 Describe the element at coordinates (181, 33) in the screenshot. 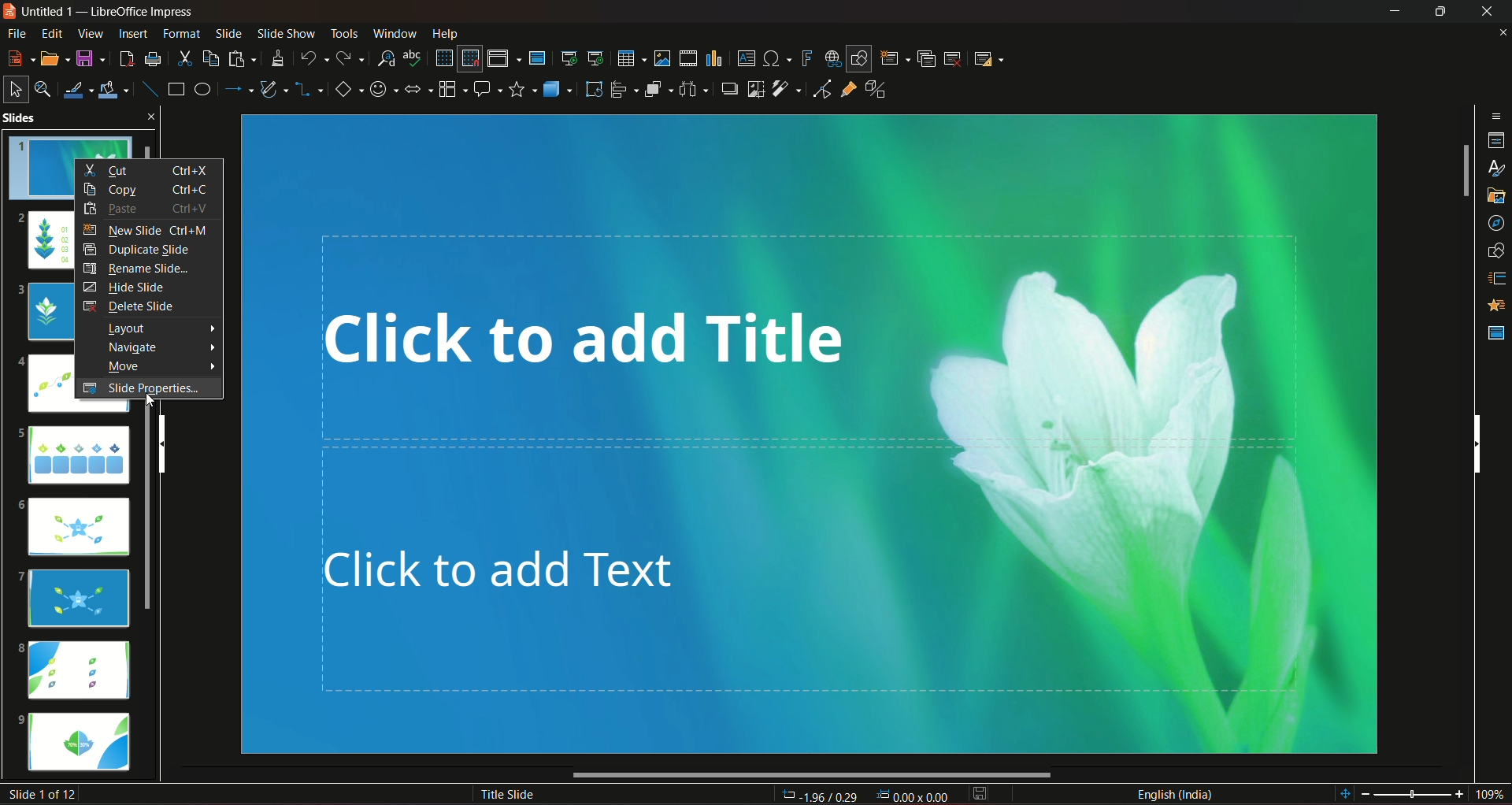

I see `format` at that location.